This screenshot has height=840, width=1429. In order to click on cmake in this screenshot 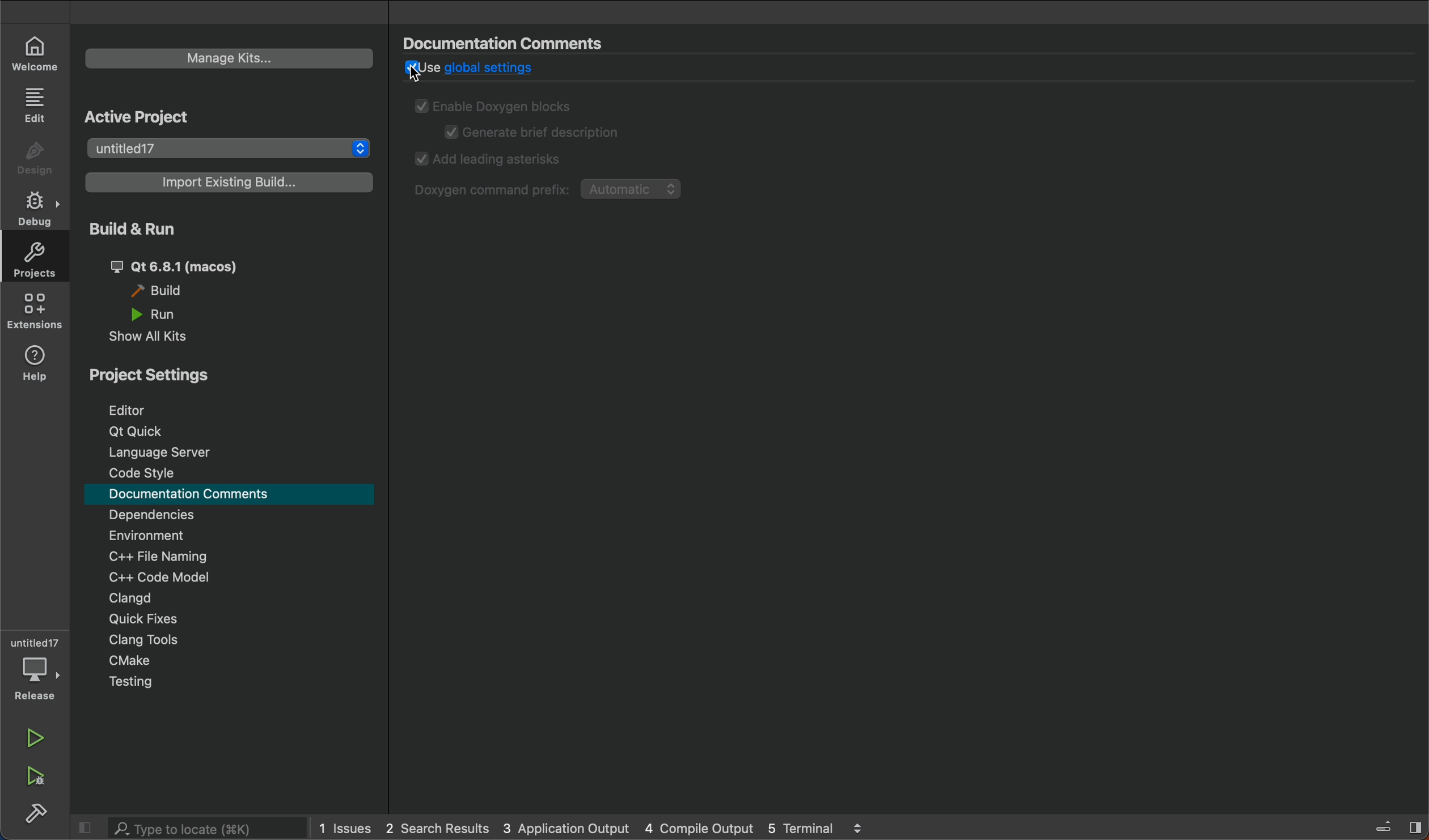, I will do `click(129, 658)`.